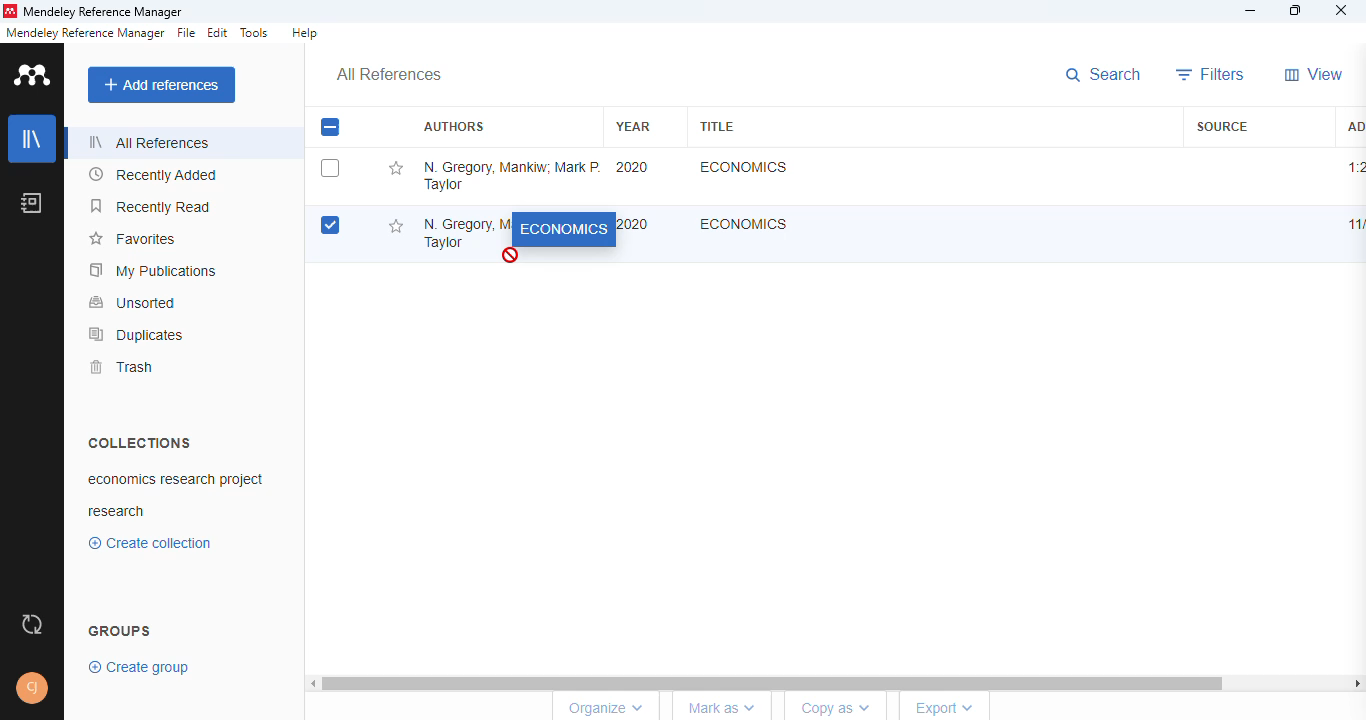 The image size is (1366, 720). I want to click on logo, so click(34, 74).